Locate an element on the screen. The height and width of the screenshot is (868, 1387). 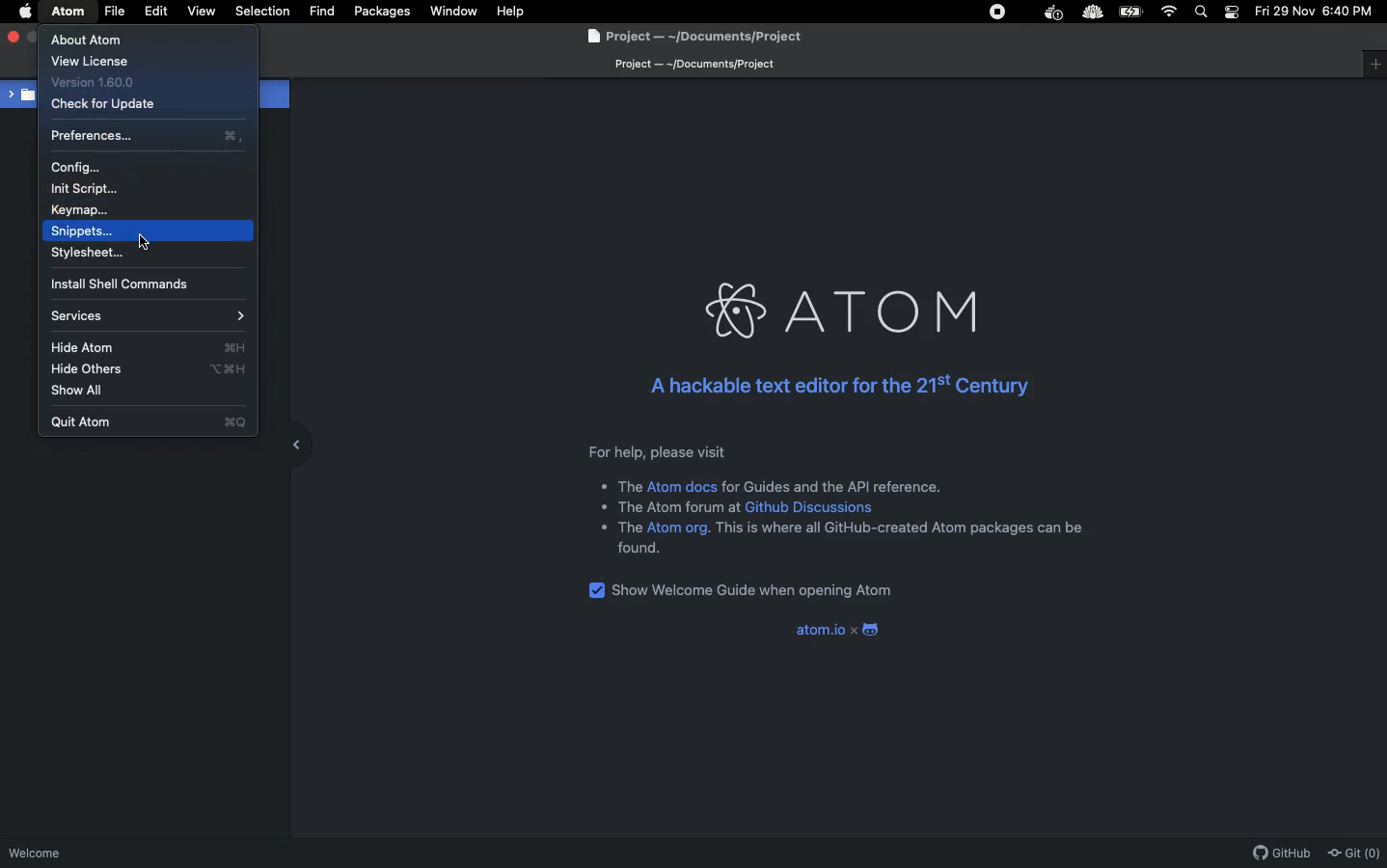
Instructional text is located at coordinates (820, 451).